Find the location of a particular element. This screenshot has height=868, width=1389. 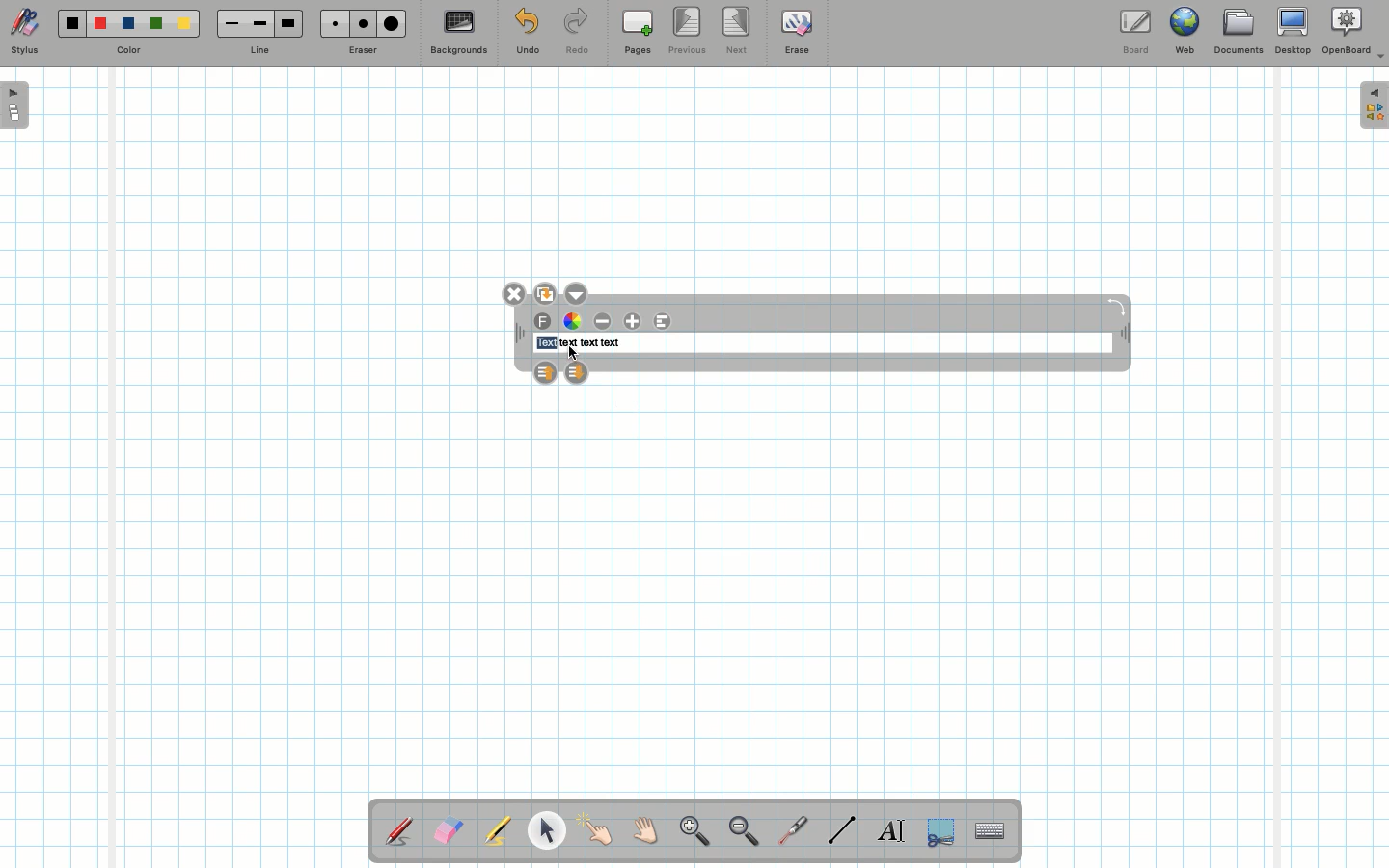

Line is located at coordinates (259, 51).